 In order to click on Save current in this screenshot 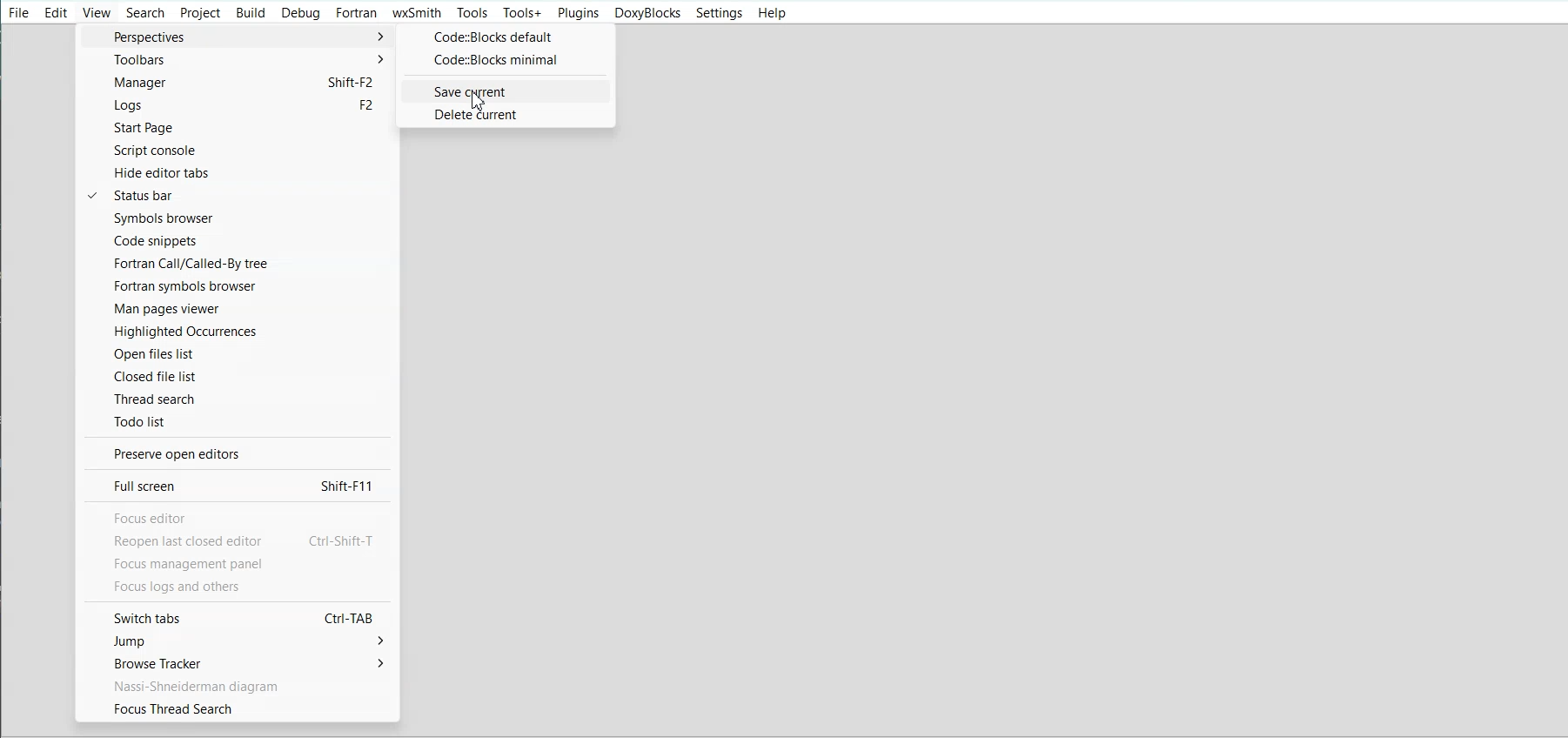, I will do `click(506, 90)`.